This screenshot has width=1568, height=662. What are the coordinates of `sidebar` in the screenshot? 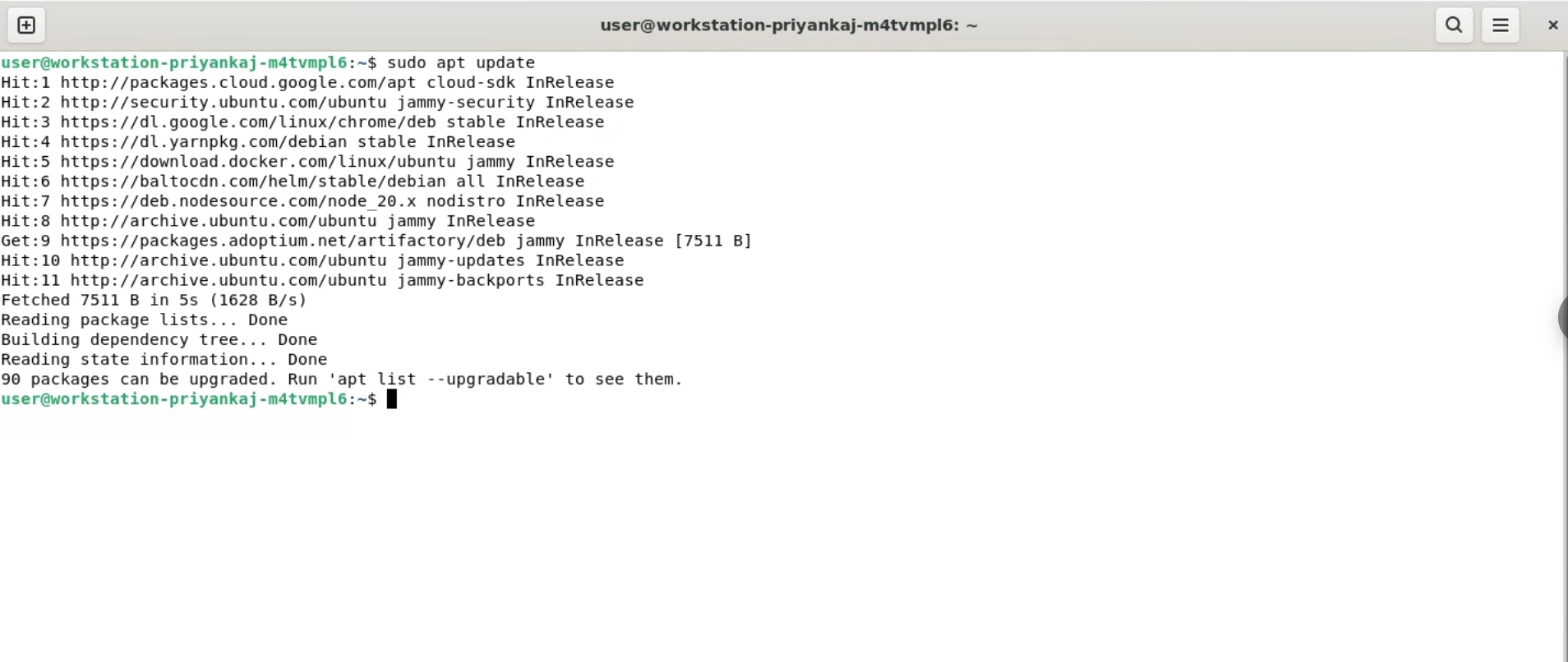 It's located at (1561, 317).